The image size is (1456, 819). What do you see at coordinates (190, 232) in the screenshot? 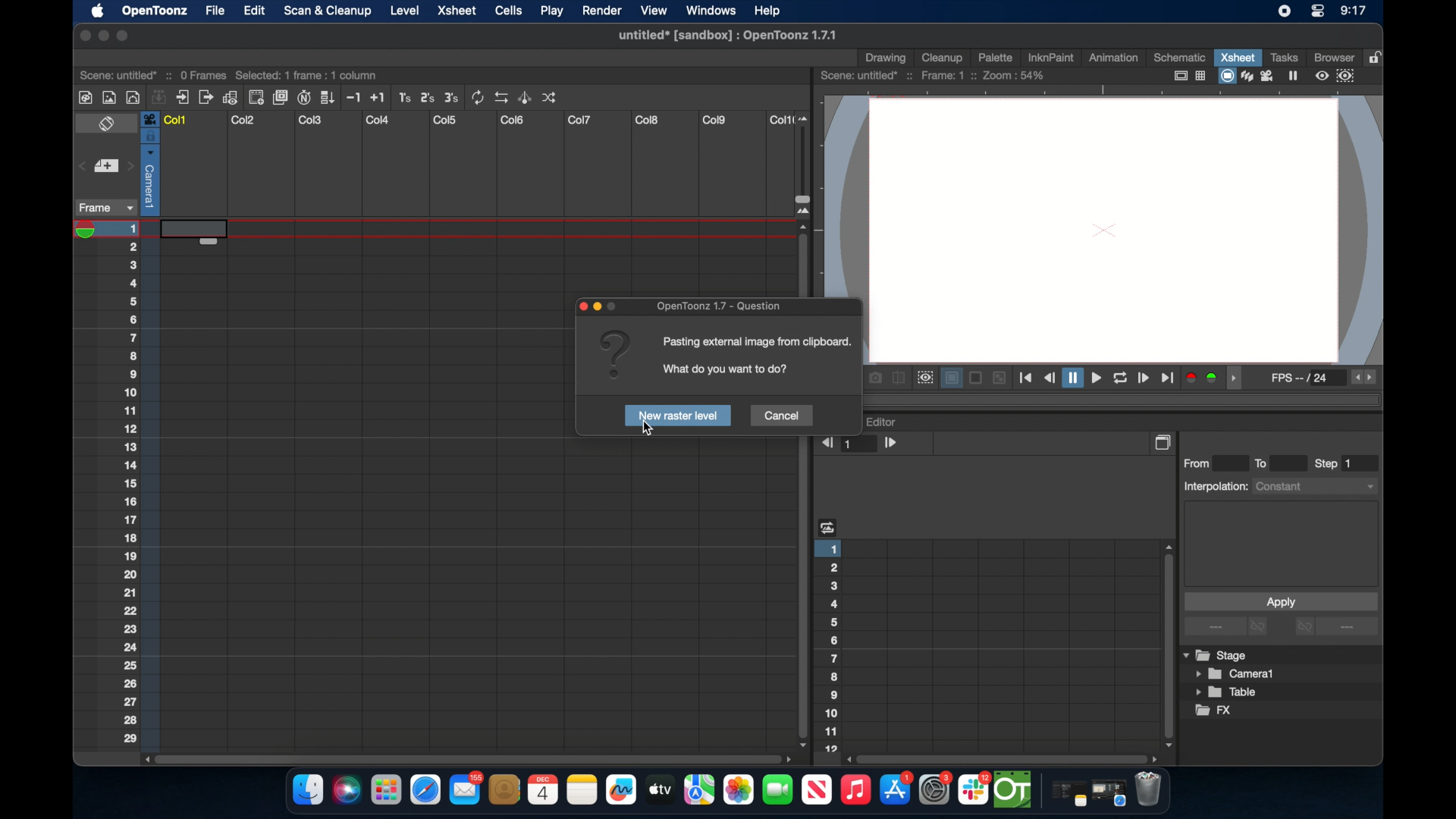
I see `highlighted cell` at bounding box center [190, 232].